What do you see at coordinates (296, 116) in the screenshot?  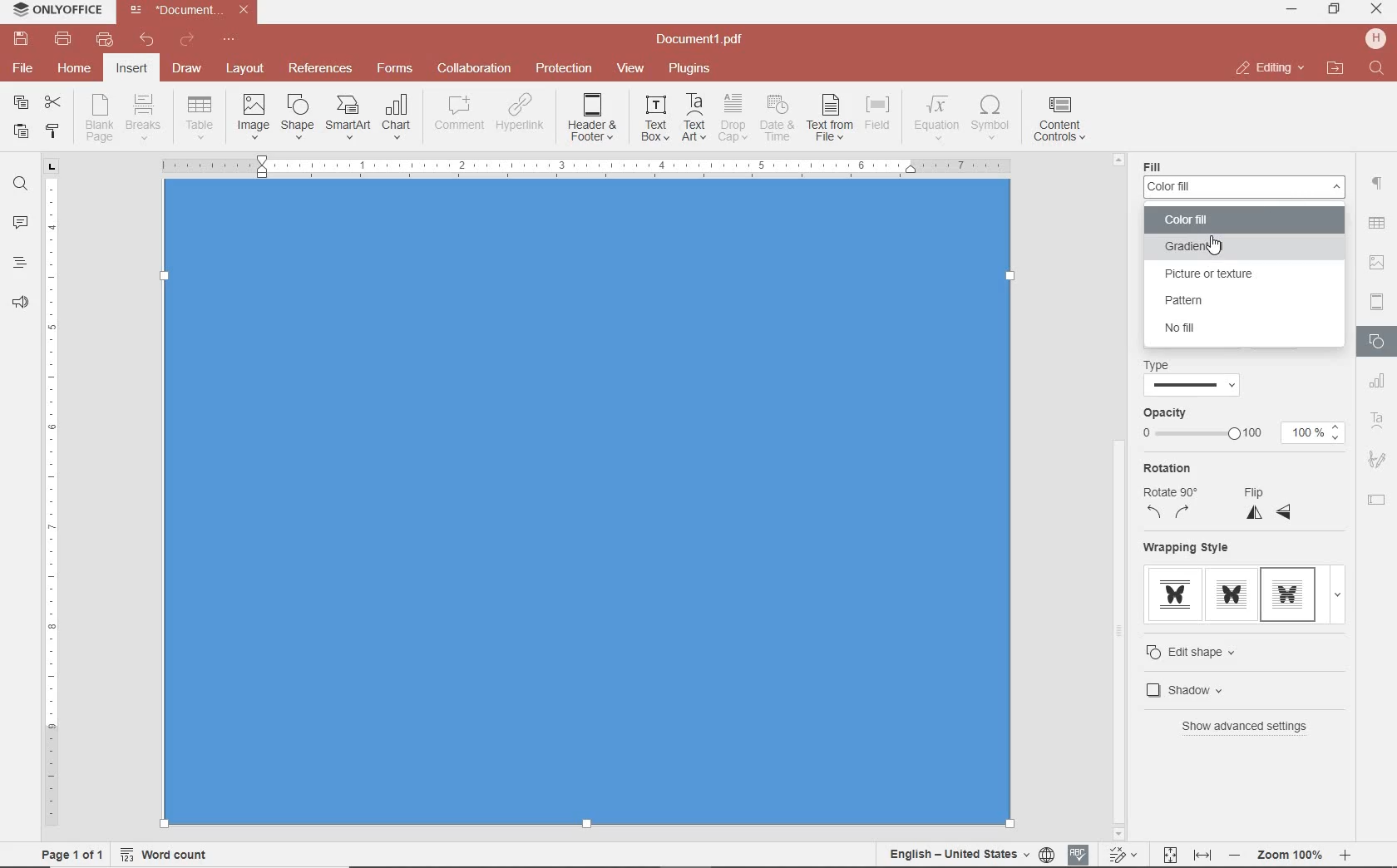 I see `INSERT SHAPE` at bounding box center [296, 116].